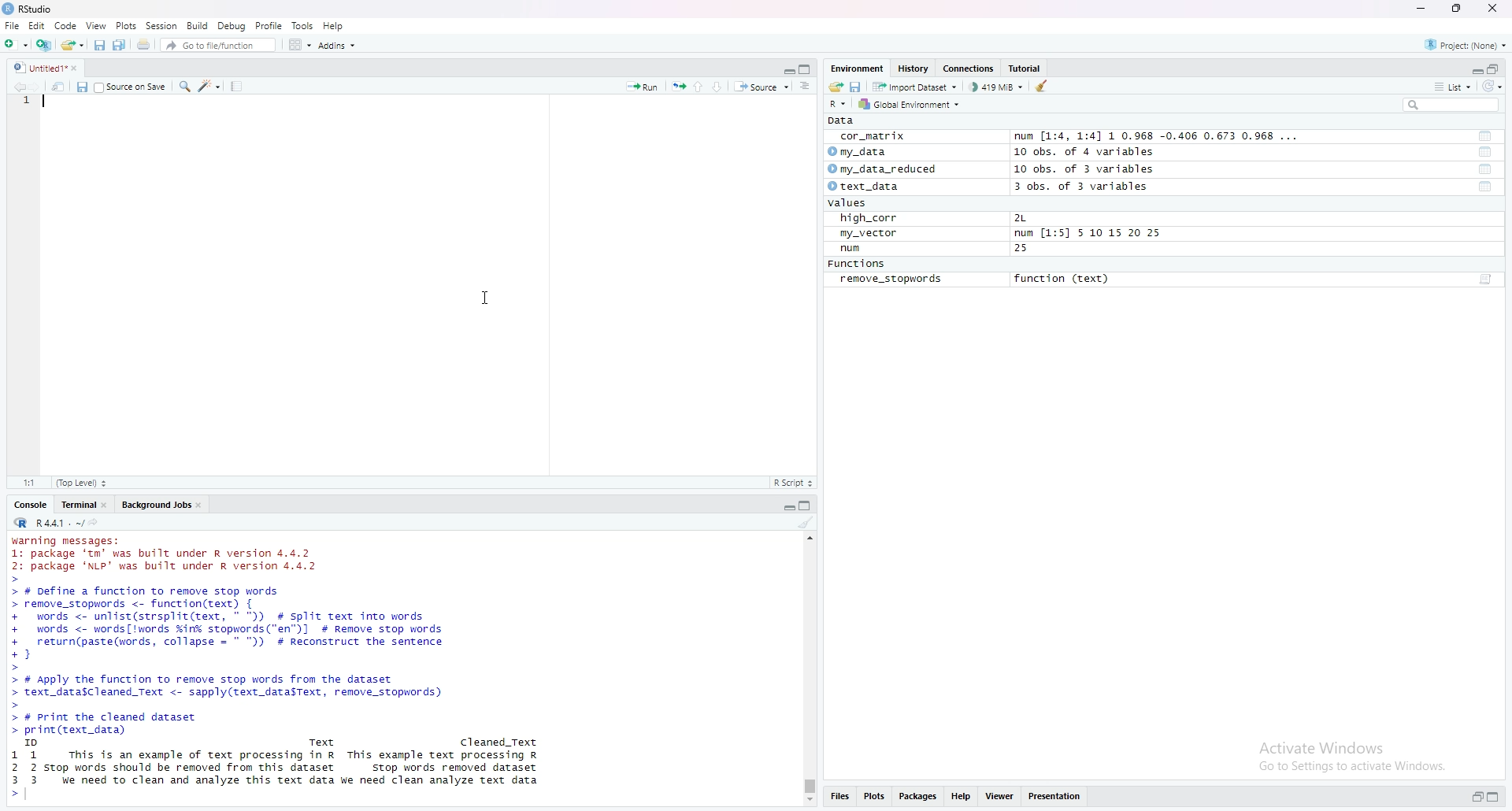  Describe the element at coordinates (697, 87) in the screenshot. I see `Previous section` at that location.